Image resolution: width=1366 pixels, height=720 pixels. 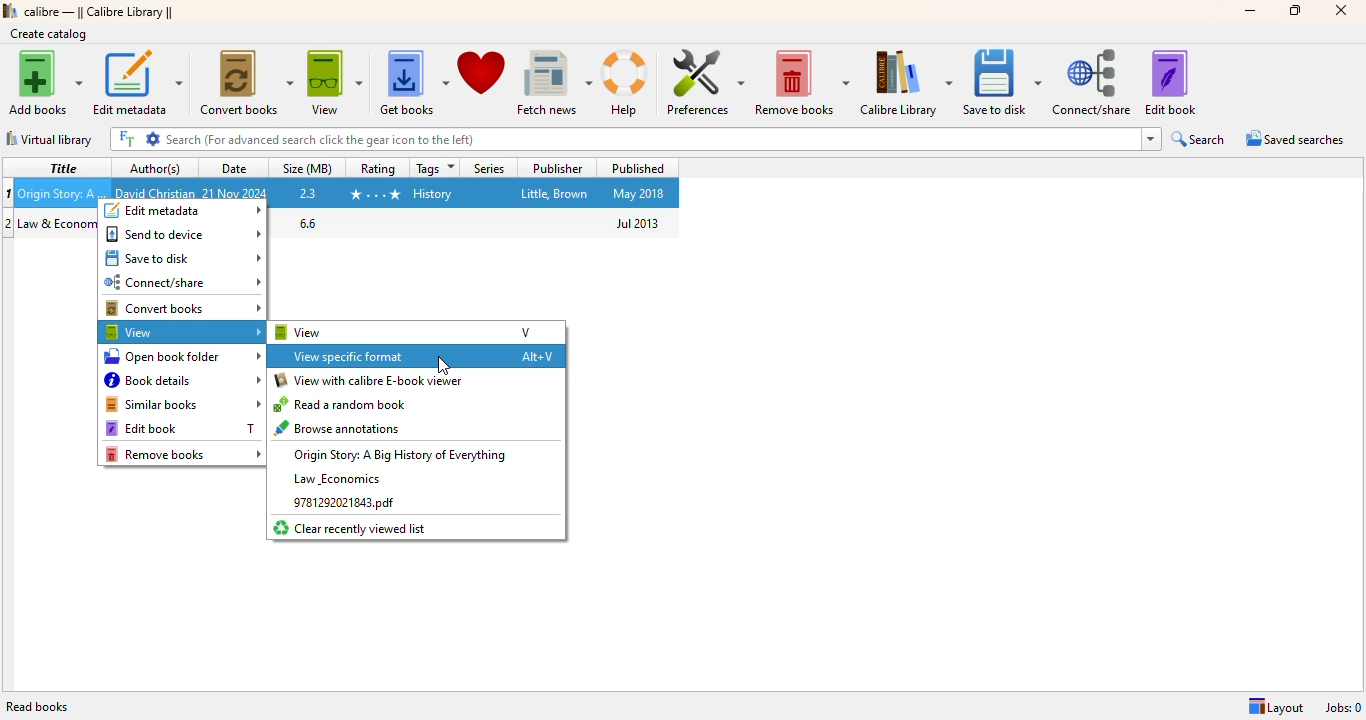 What do you see at coordinates (400, 454) in the screenshot?
I see `origin story: a big history of everything` at bounding box center [400, 454].